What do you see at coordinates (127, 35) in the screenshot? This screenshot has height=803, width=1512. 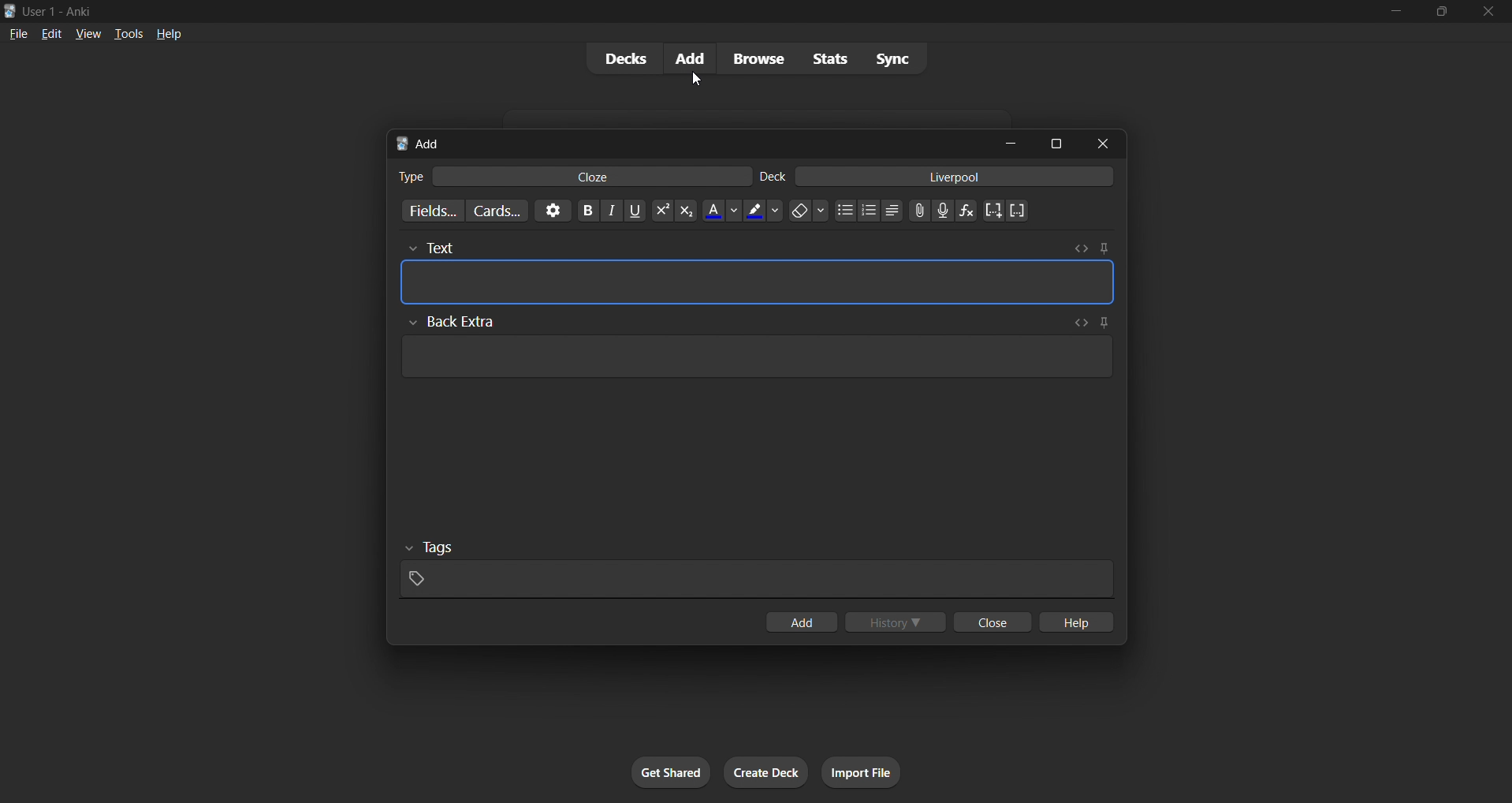 I see `tools` at bounding box center [127, 35].